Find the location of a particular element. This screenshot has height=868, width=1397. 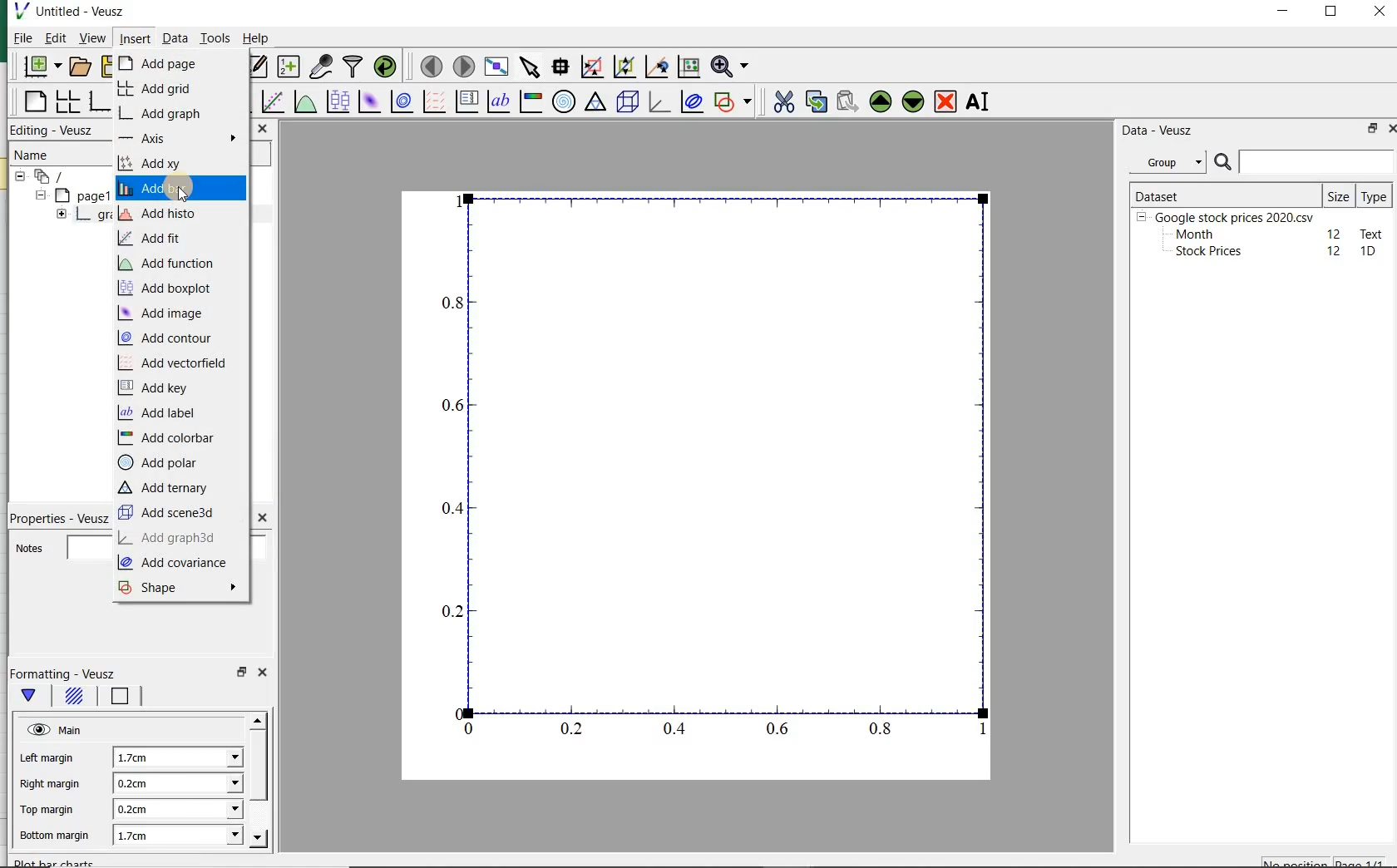

1.7cm is located at coordinates (175, 758).